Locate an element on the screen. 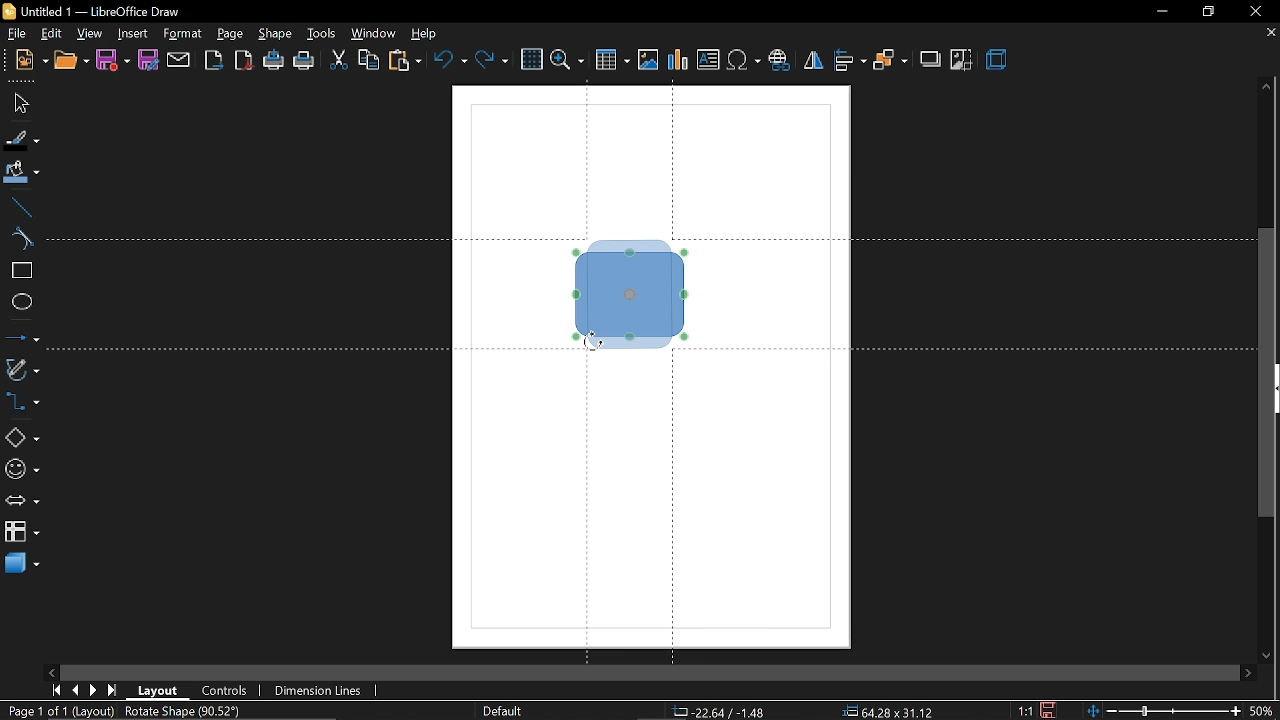 The width and height of the screenshot is (1280, 720). print directly is located at coordinates (272, 59).